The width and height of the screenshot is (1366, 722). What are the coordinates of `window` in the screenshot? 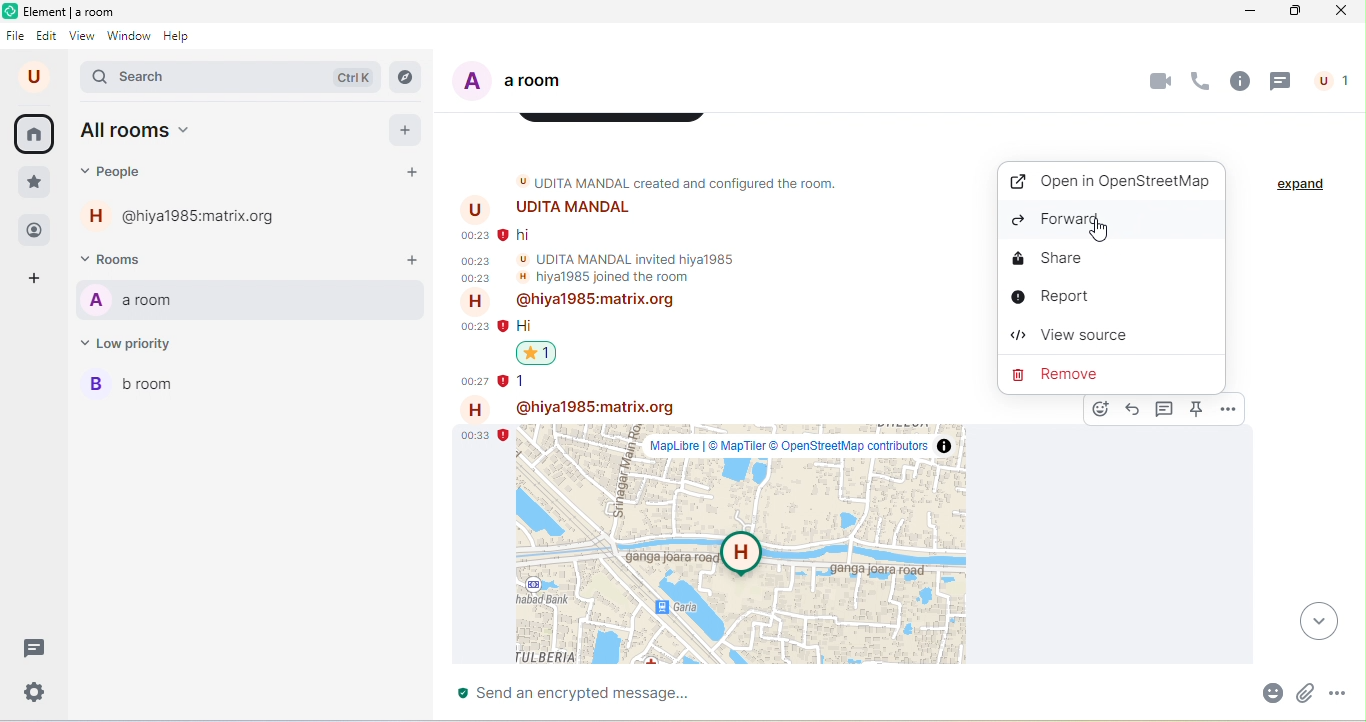 It's located at (128, 37).